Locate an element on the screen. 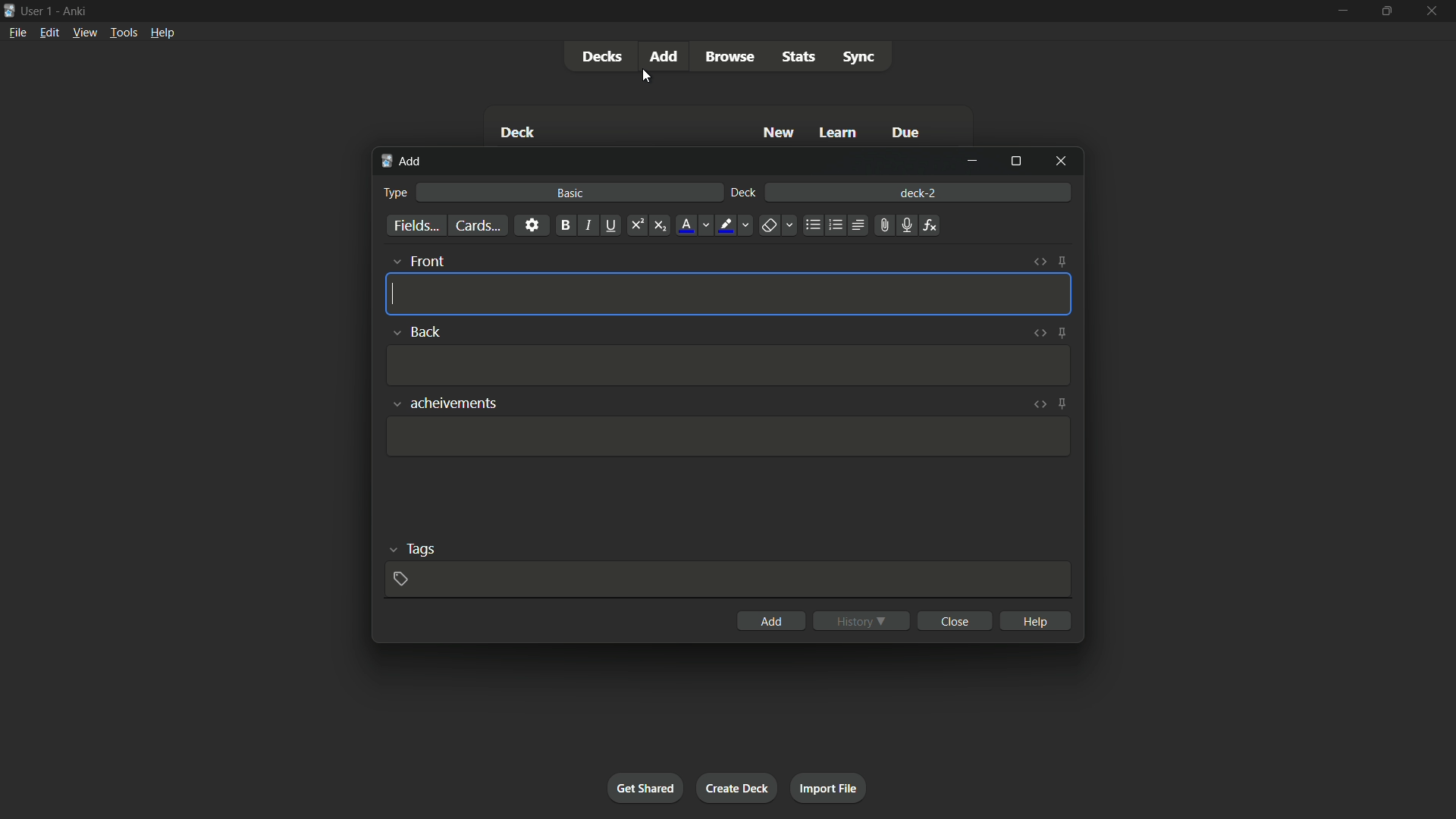 The height and width of the screenshot is (819, 1456). text highlight is located at coordinates (736, 227).